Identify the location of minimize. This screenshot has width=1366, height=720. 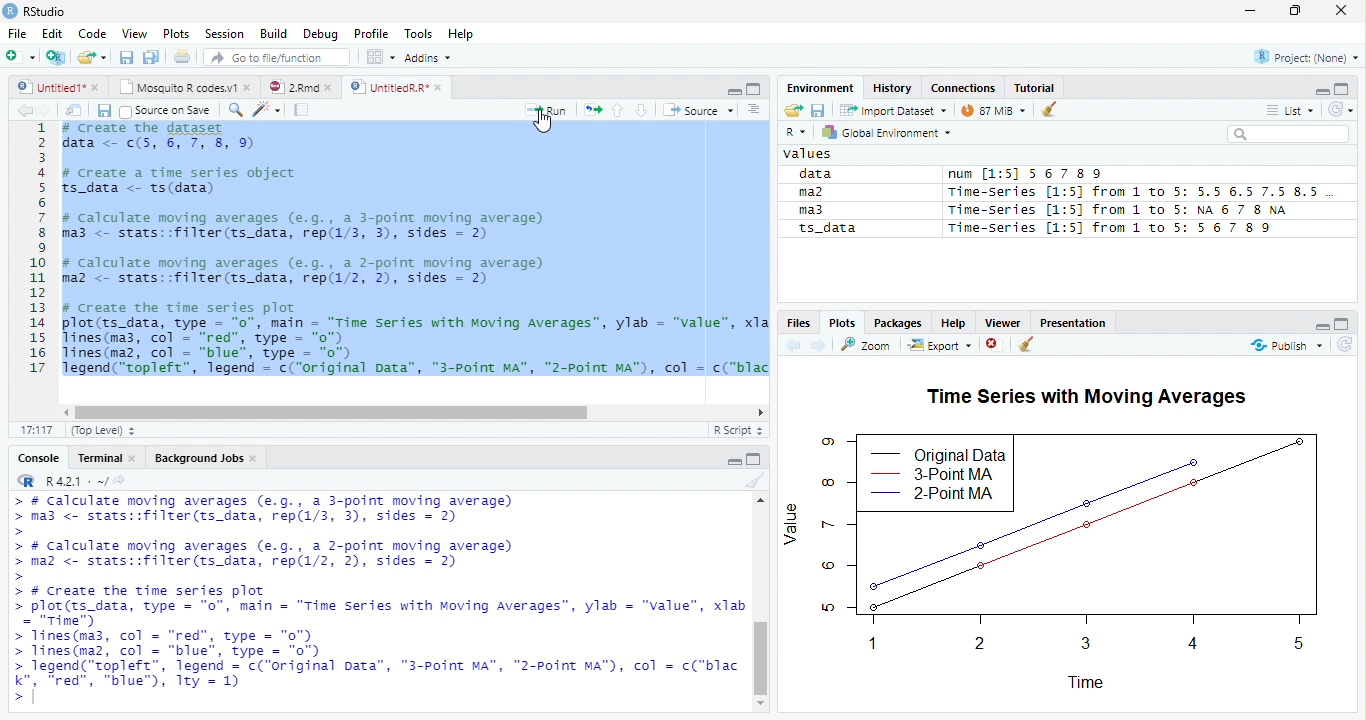
(1249, 12).